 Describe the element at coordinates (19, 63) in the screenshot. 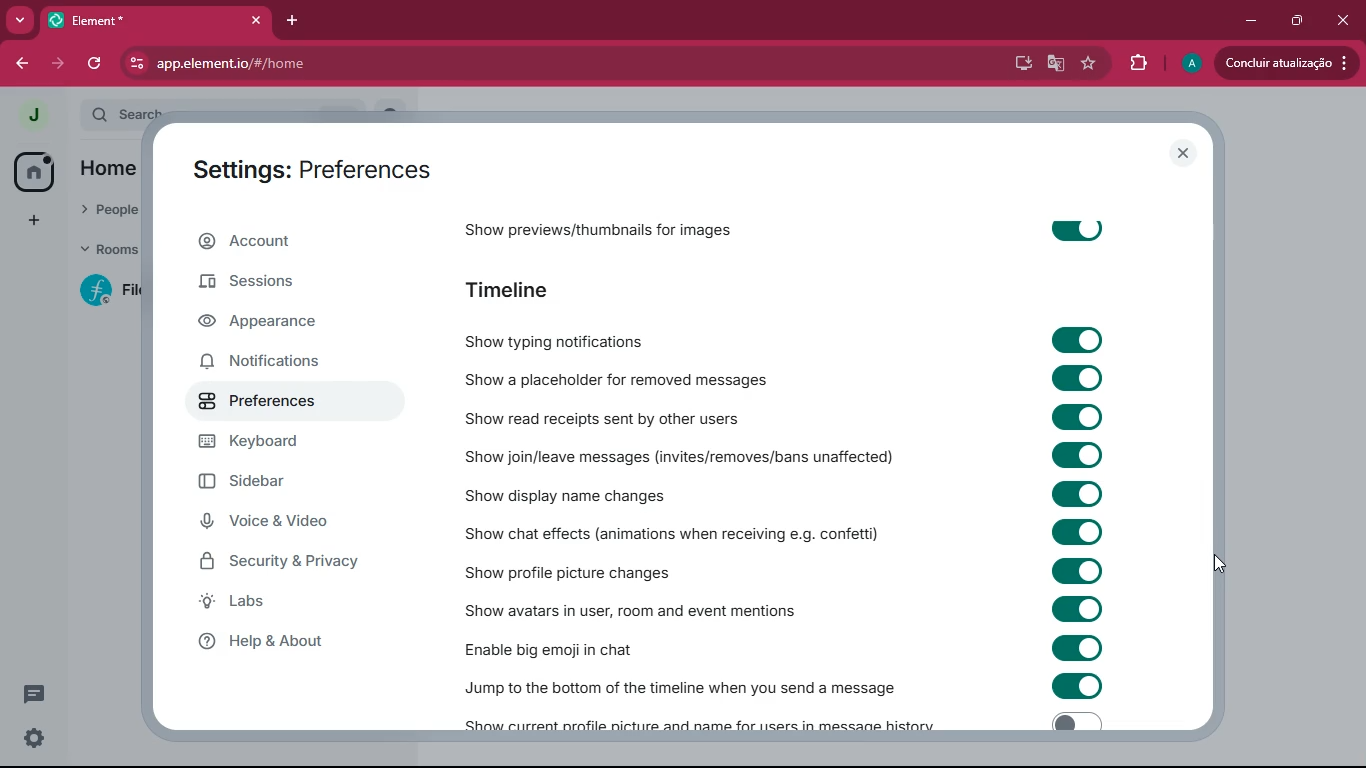

I see `back` at that location.